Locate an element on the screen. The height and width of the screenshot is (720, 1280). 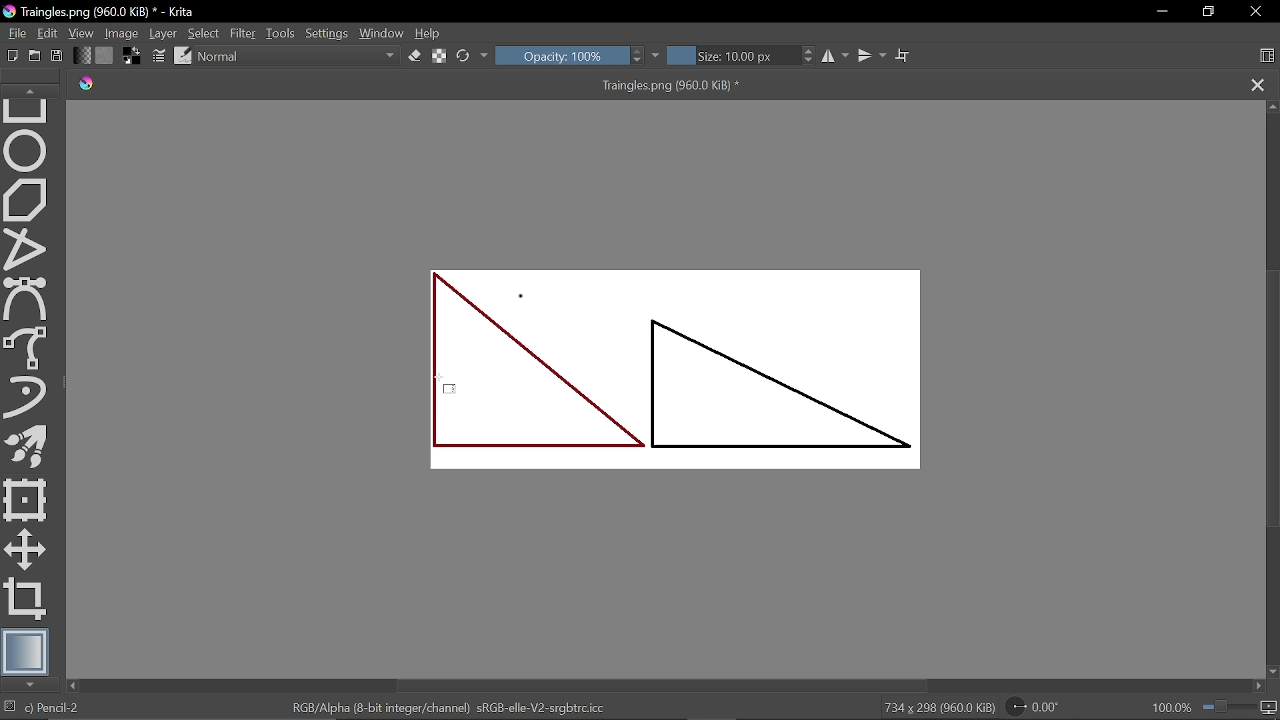
Transform a layer tool is located at coordinates (26, 500).